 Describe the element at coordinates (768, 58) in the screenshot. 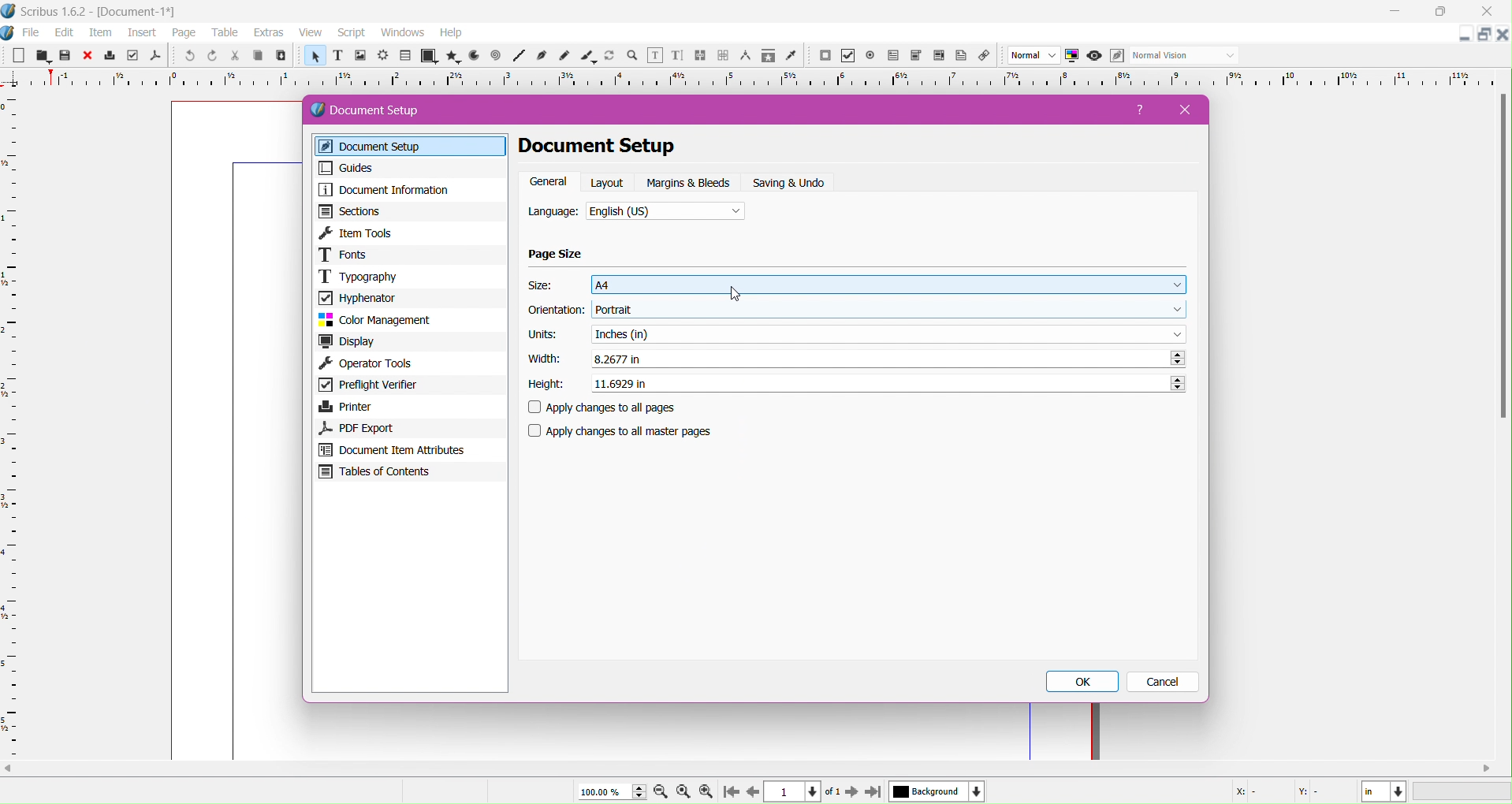

I see `copy item properties` at that location.